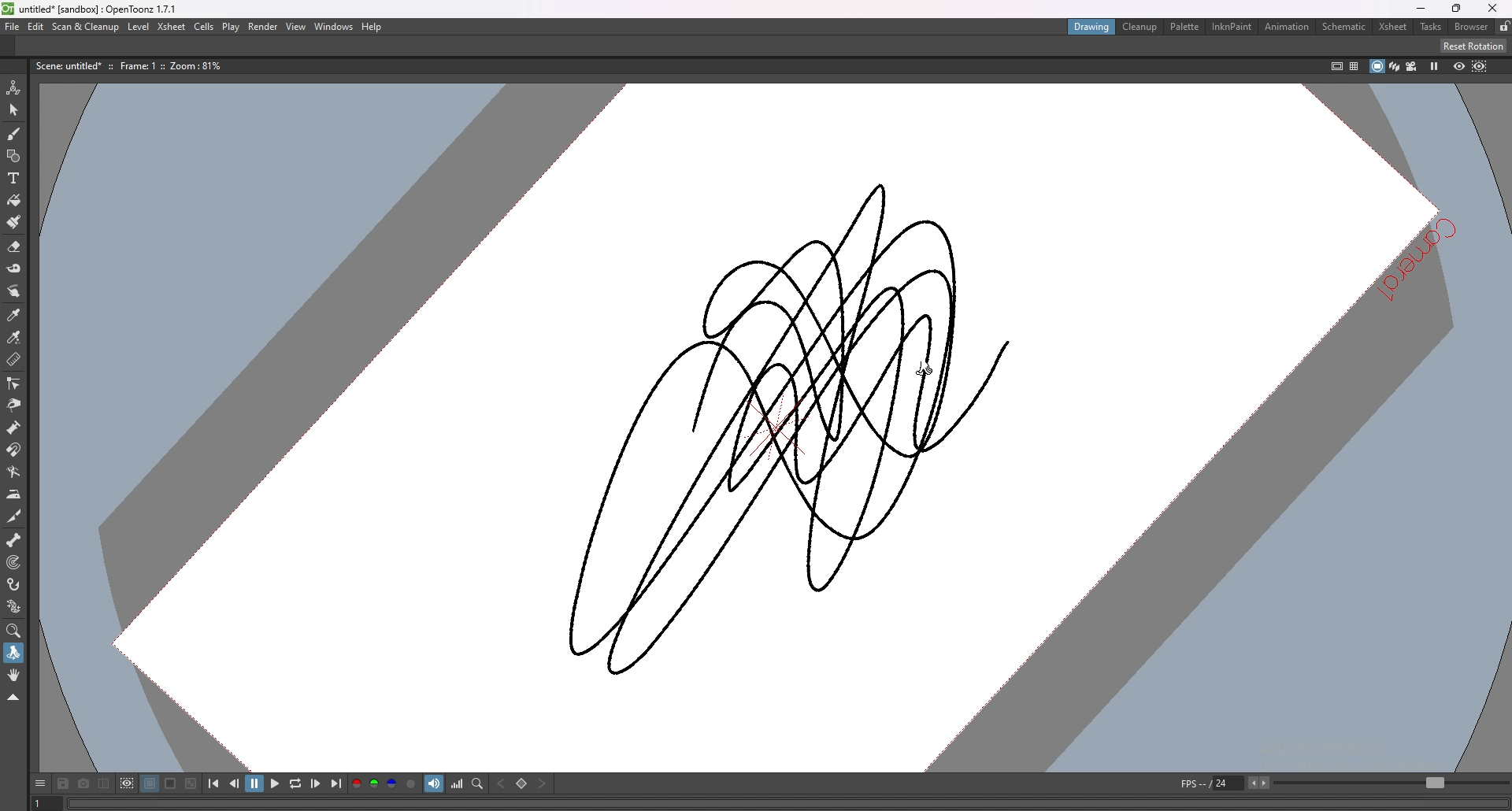 The width and height of the screenshot is (1512, 811). Describe the element at coordinates (1412, 67) in the screenshot. I see `camera view` at that location.